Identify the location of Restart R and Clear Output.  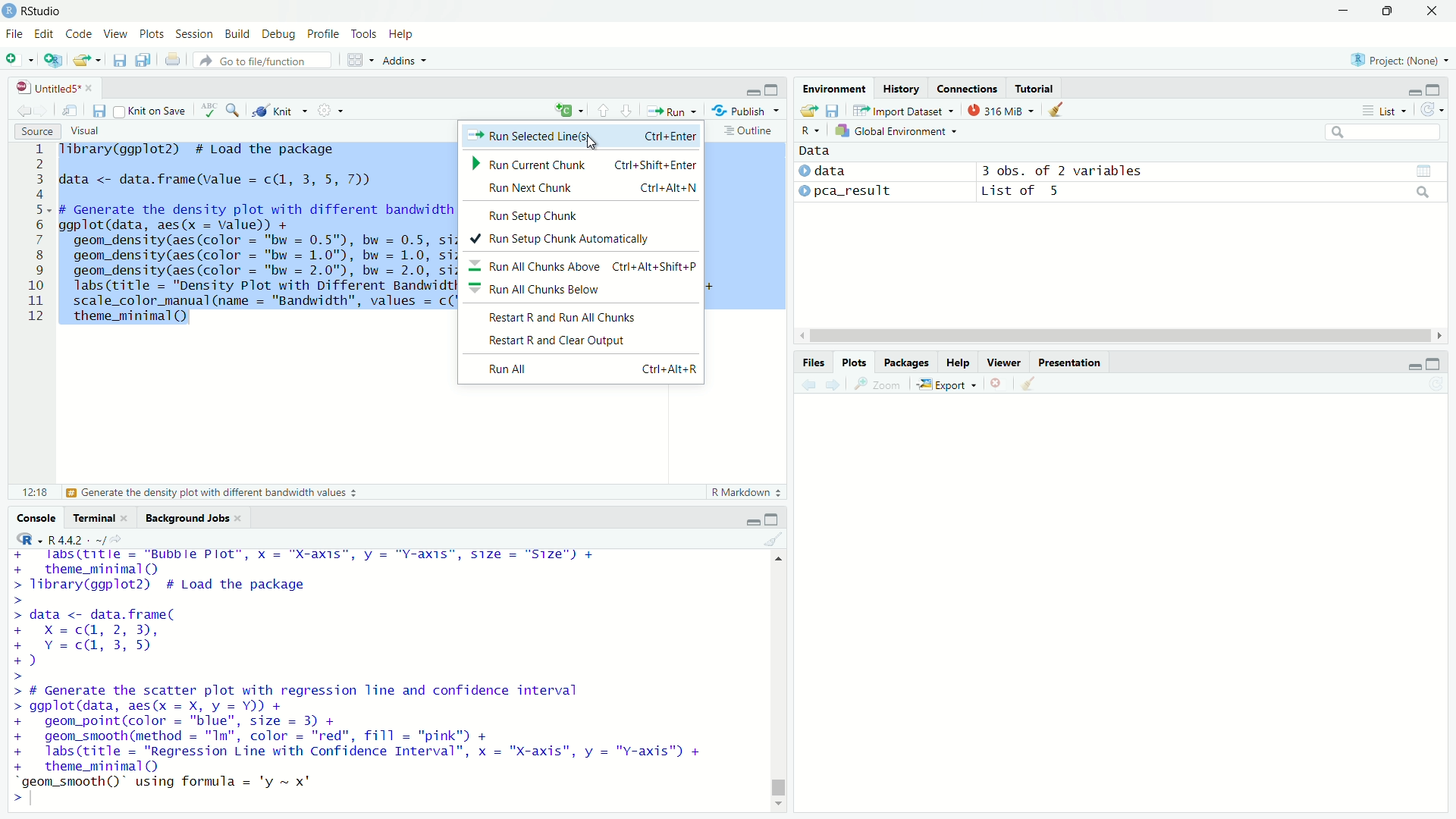
(581, 342).